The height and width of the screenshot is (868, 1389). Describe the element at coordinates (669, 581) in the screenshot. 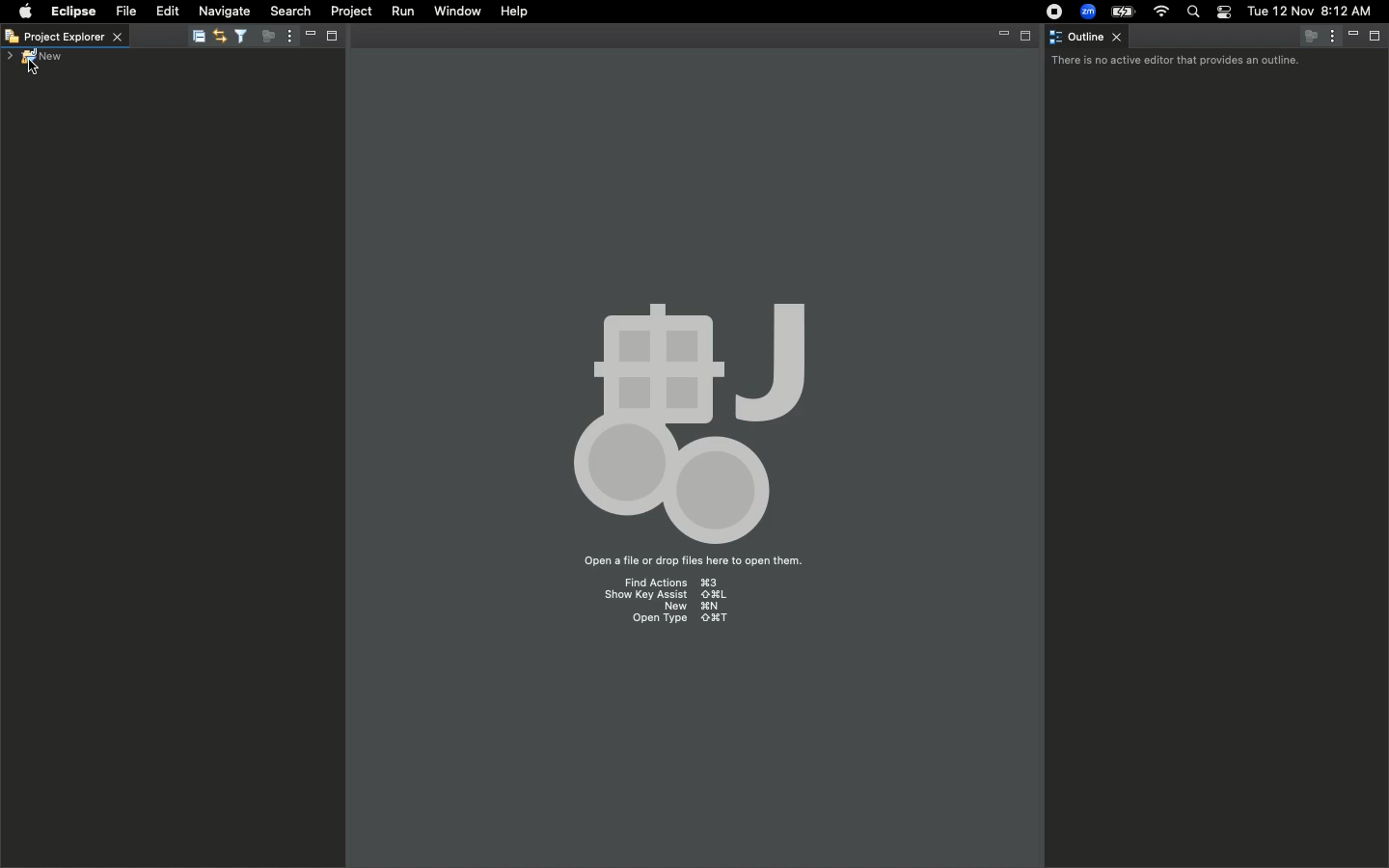

I see `Find actions` at that location.